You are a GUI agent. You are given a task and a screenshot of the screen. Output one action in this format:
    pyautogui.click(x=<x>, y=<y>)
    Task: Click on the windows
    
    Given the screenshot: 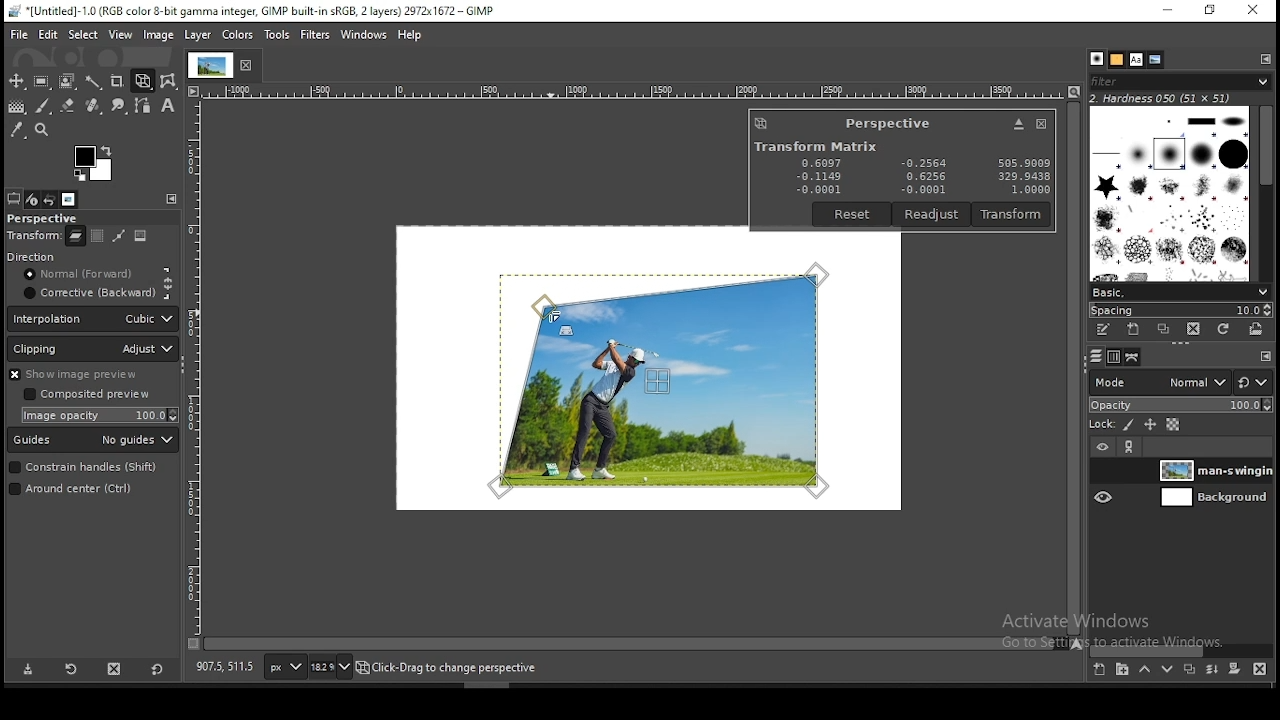 What is the action you would take?
    pyautogui.click(x=361, y=35)
    